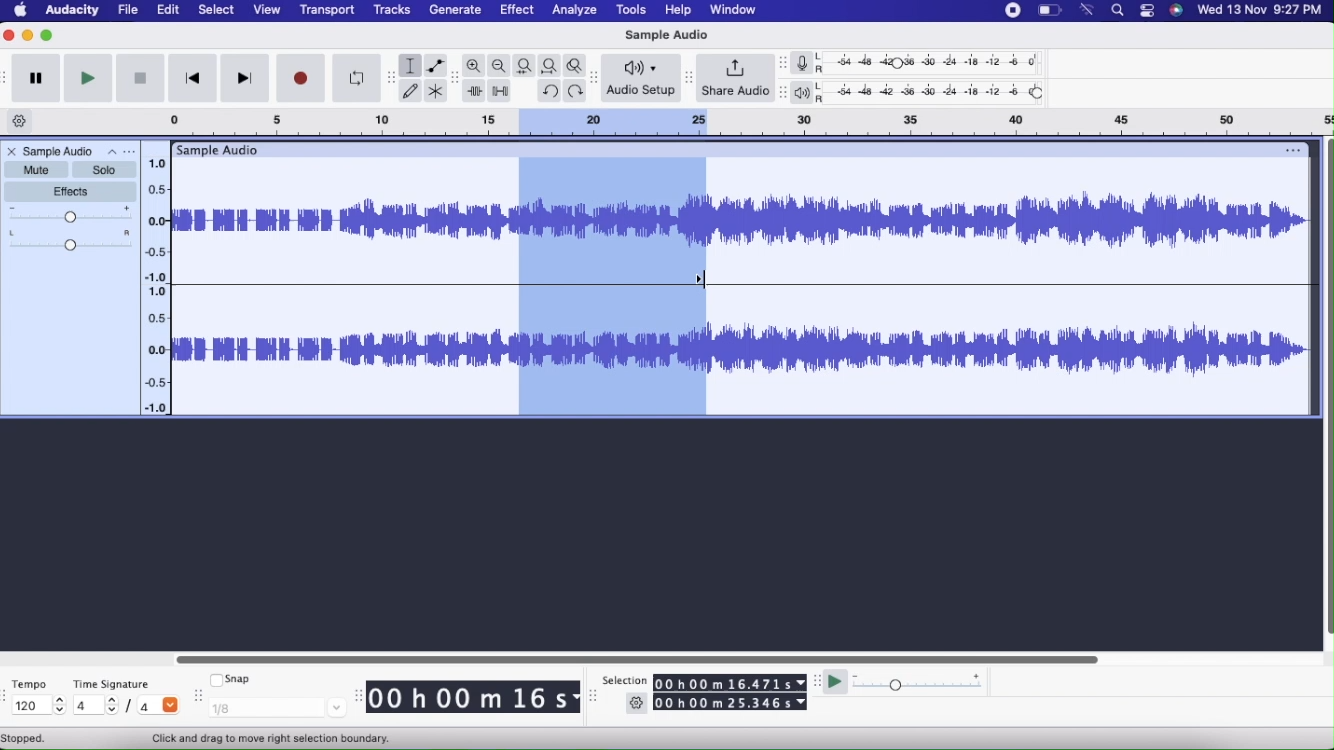 The image size is (1334, 750). What do you see at coordinates (36, 79) in the screenshot?
I see `Pause` at bounding box center [36, 79].